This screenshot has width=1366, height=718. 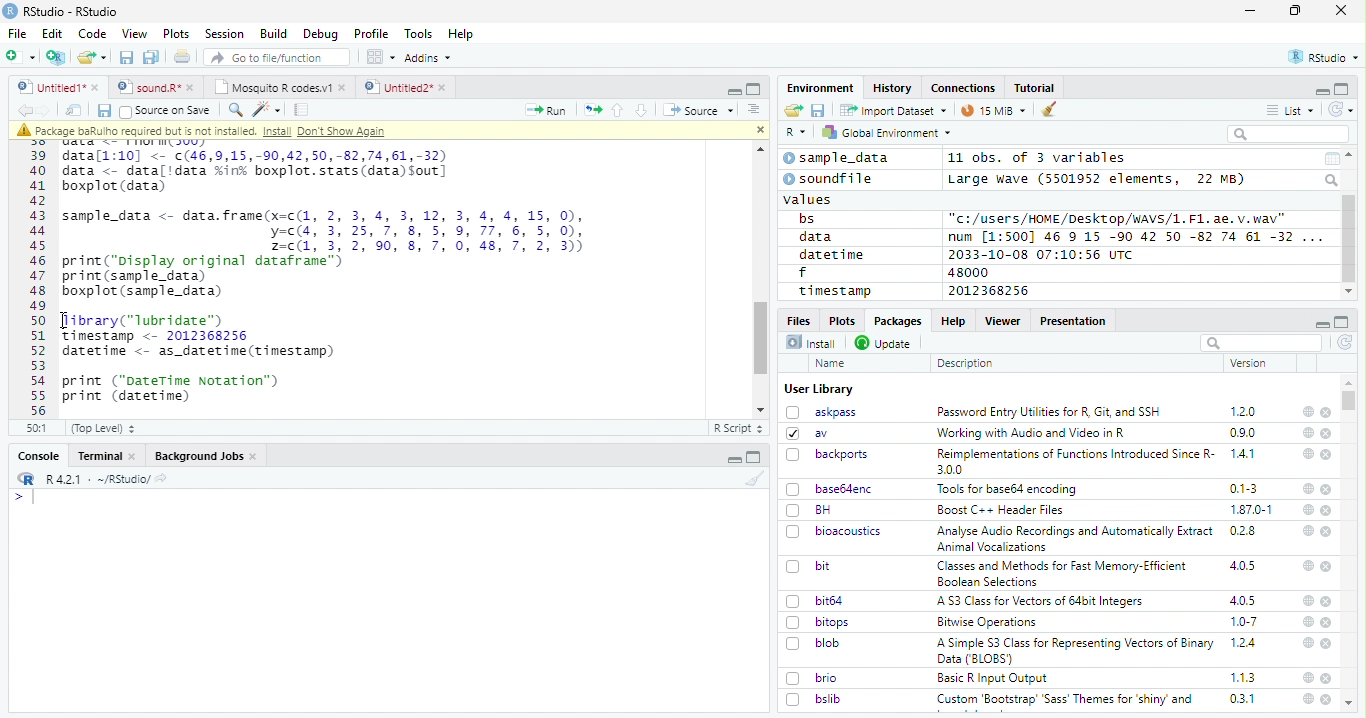 I want to click on num [1:500] 46 9 15 -90 42 50 -82 74 61 -32 ..., so click(x=1135, y=236).